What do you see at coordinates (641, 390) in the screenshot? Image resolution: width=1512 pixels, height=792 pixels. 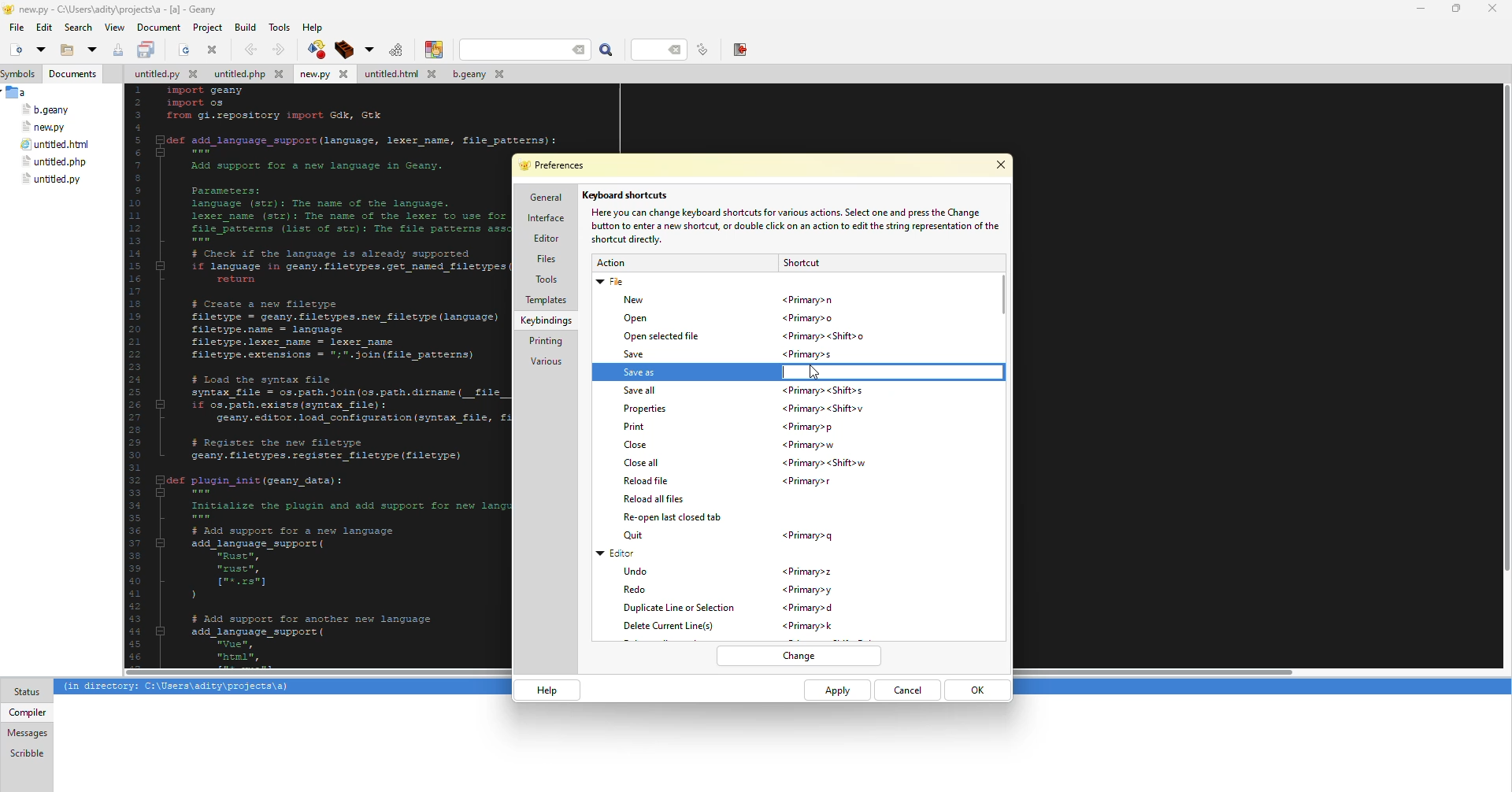 I see `save all` at bounding box center [641, 390].